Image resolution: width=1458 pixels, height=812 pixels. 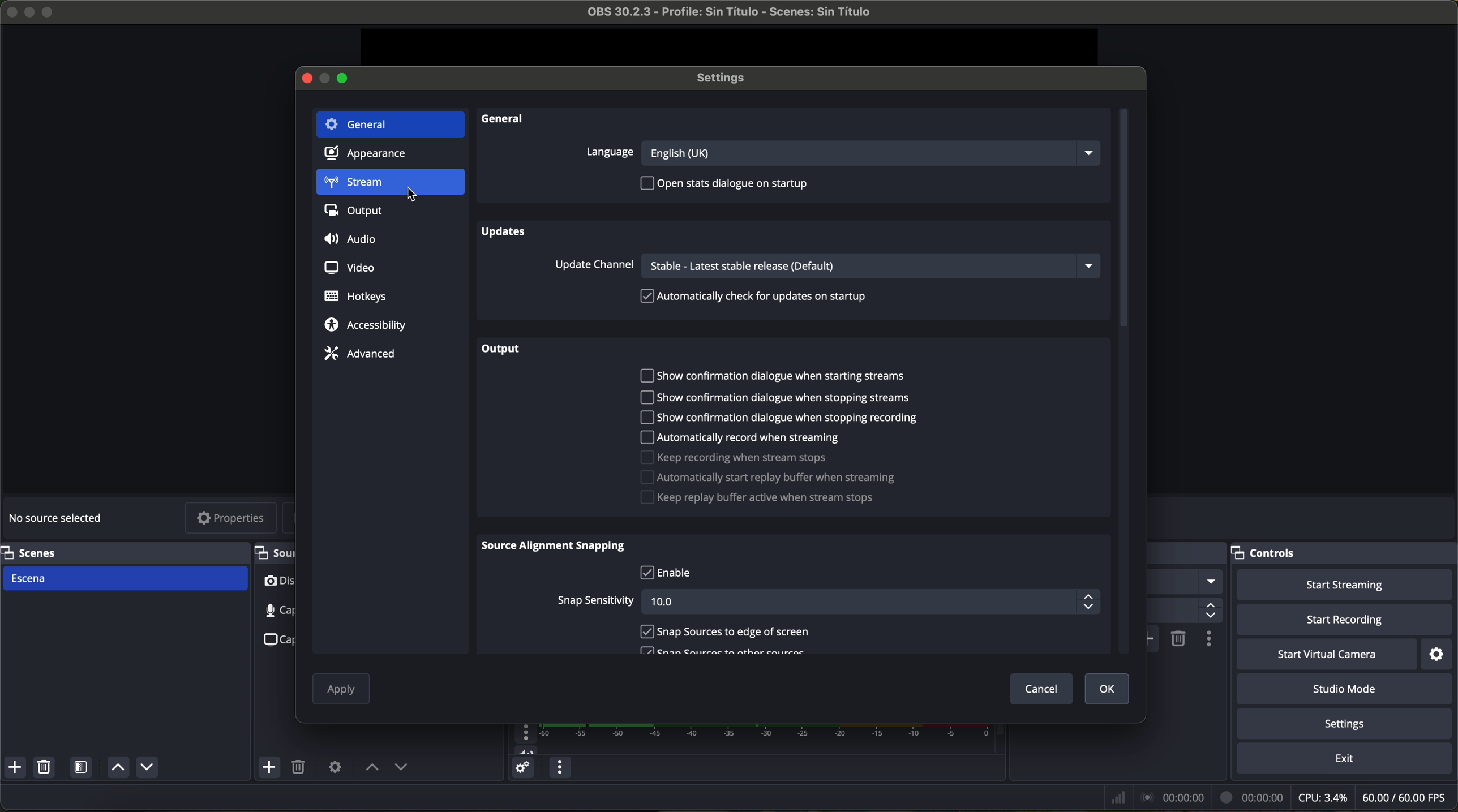 I want to click on settings, so click(x=1438, y=654).